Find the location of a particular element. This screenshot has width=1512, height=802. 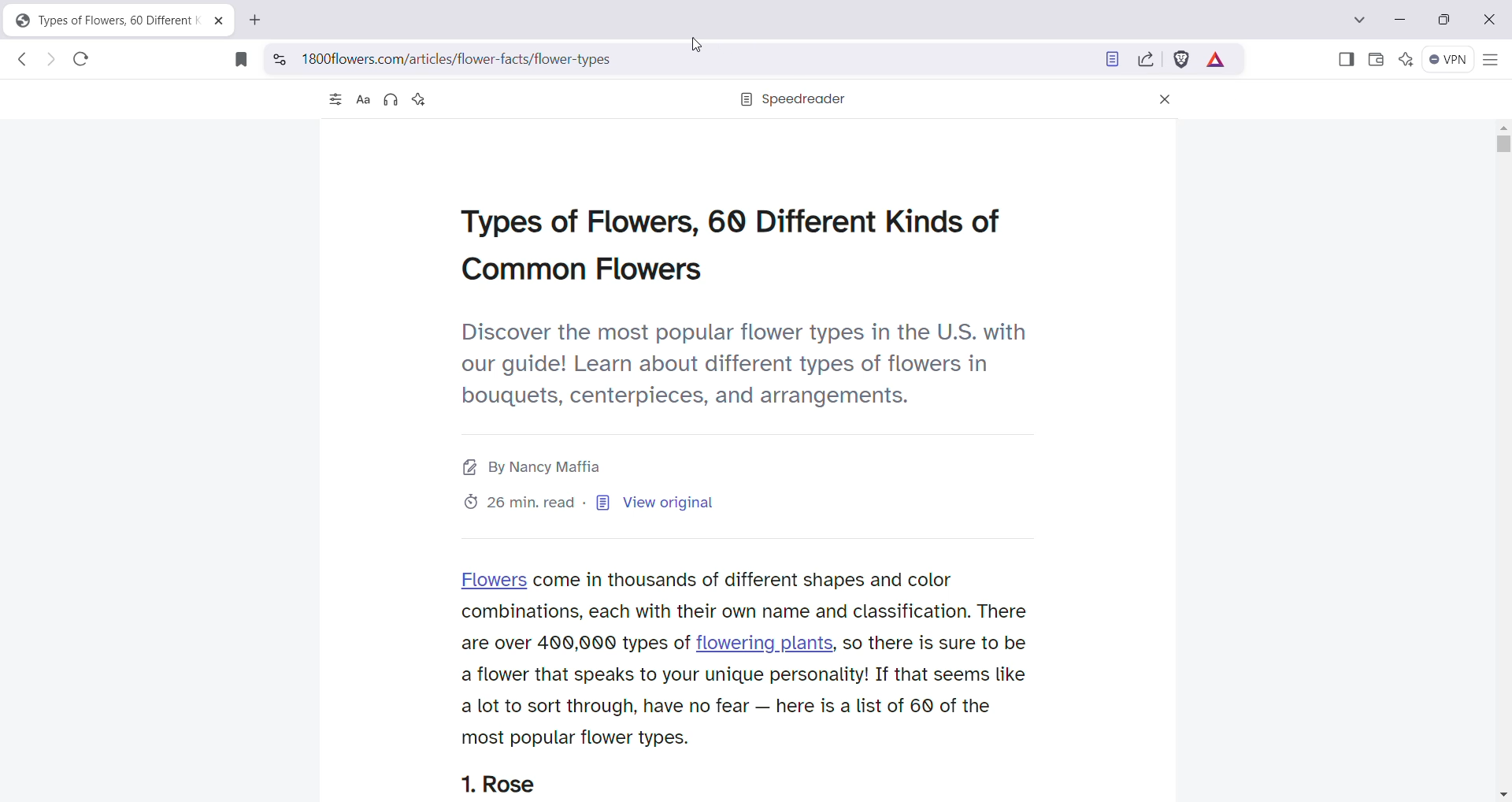

Click to go forward, hold to see history is located at coordinates (51, 61).